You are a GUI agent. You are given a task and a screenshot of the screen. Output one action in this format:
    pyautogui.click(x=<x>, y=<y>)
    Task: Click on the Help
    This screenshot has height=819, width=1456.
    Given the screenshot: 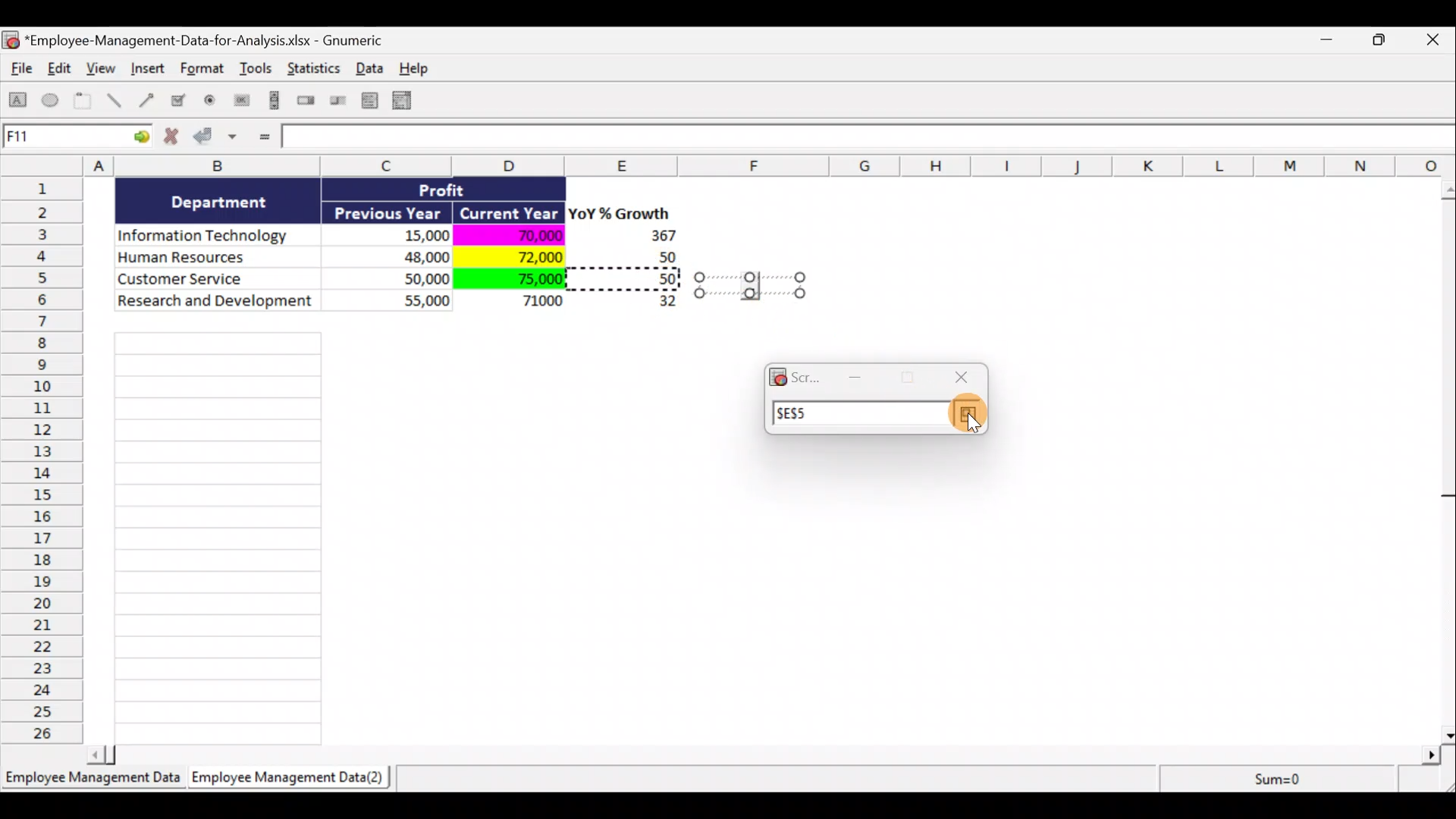 What is the action you would take?
    pyautogui.click(x=422, y=68)
    